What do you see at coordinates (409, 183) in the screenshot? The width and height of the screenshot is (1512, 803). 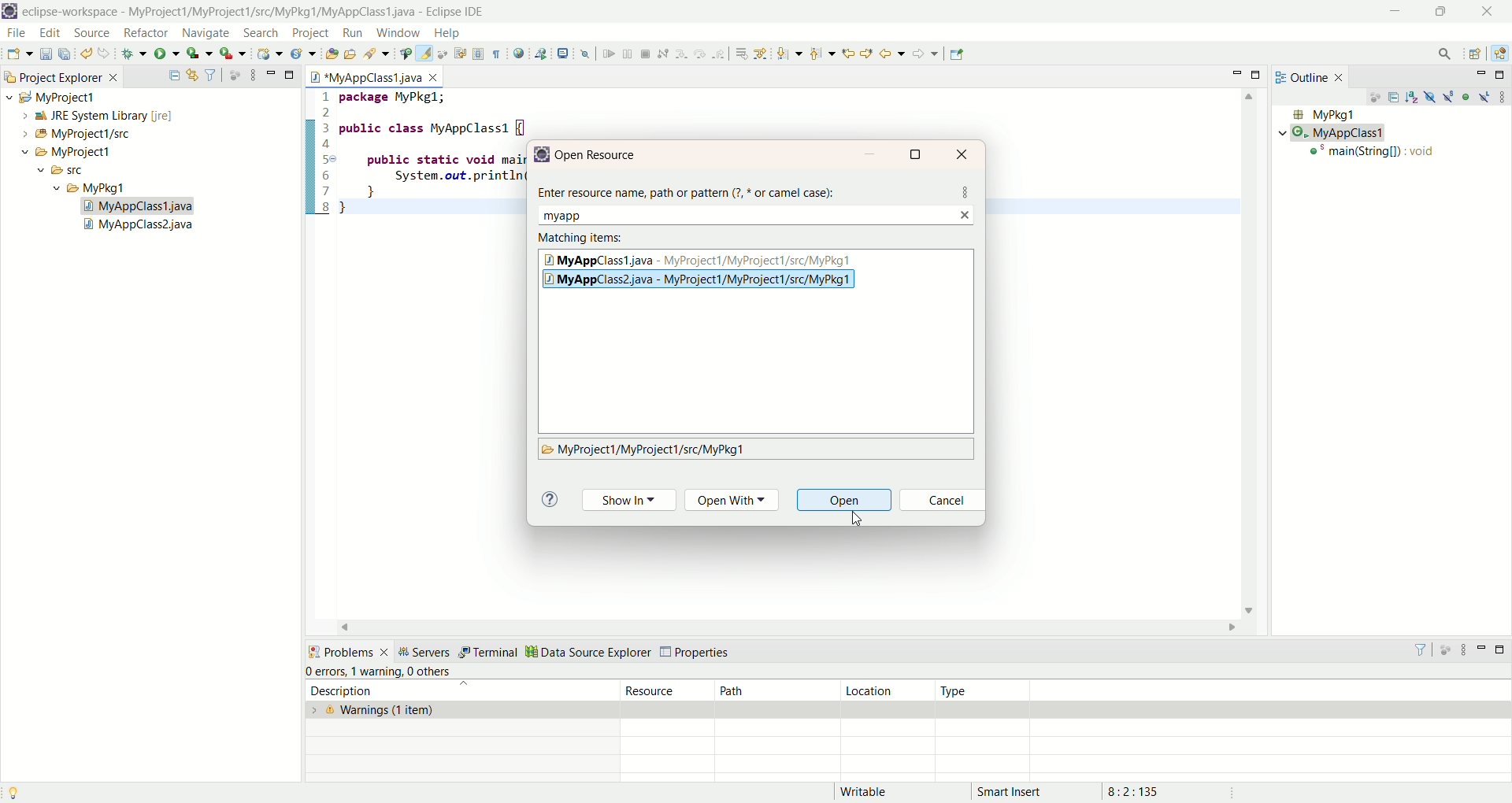 I see `5 public static void mail 6 System.out.println 7 }8}` at bounding box center [409, 183].